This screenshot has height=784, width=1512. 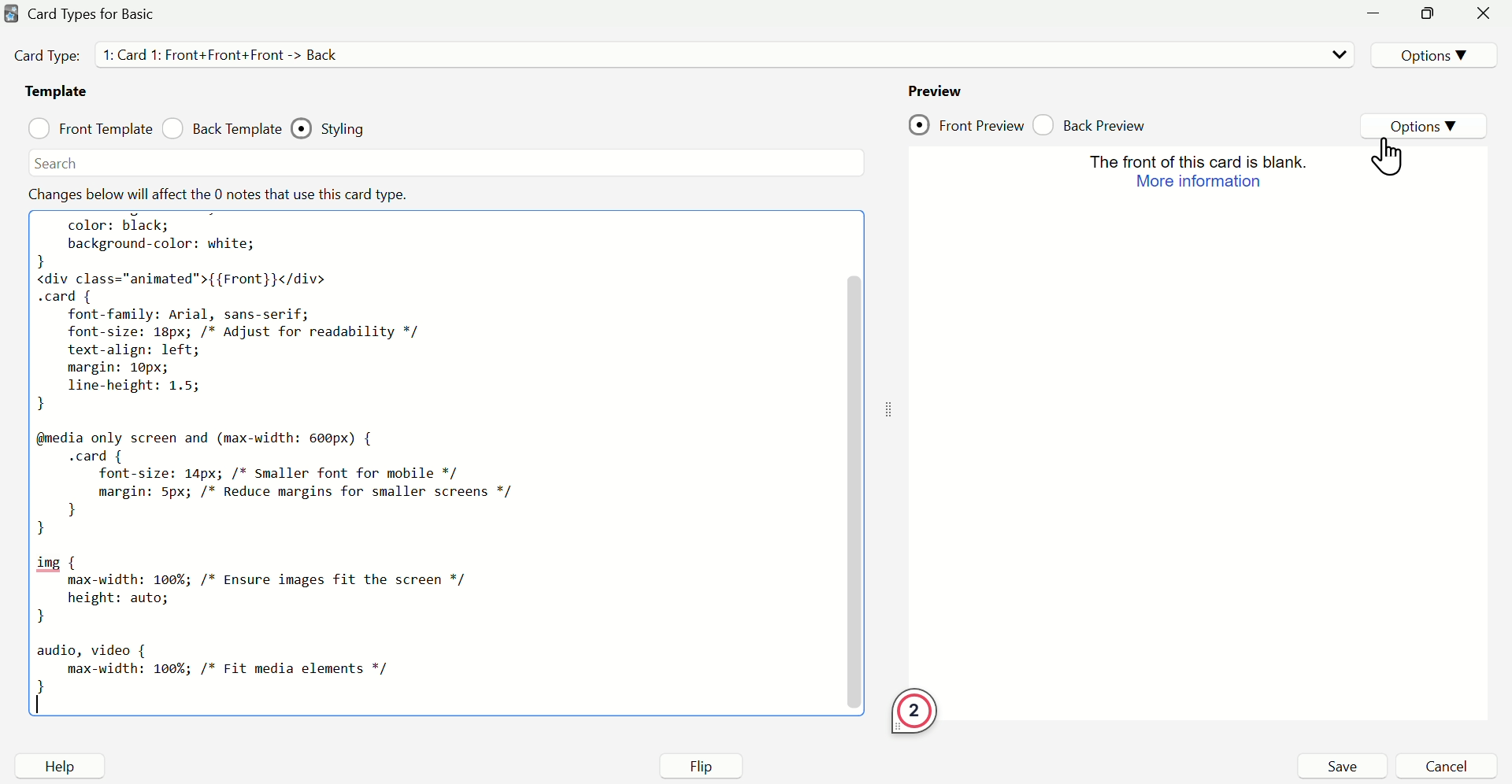 What do you see at coordinates (1389, 155) in the screenshot?
I see `Cursor on options` at bounding box center [1389, 155].